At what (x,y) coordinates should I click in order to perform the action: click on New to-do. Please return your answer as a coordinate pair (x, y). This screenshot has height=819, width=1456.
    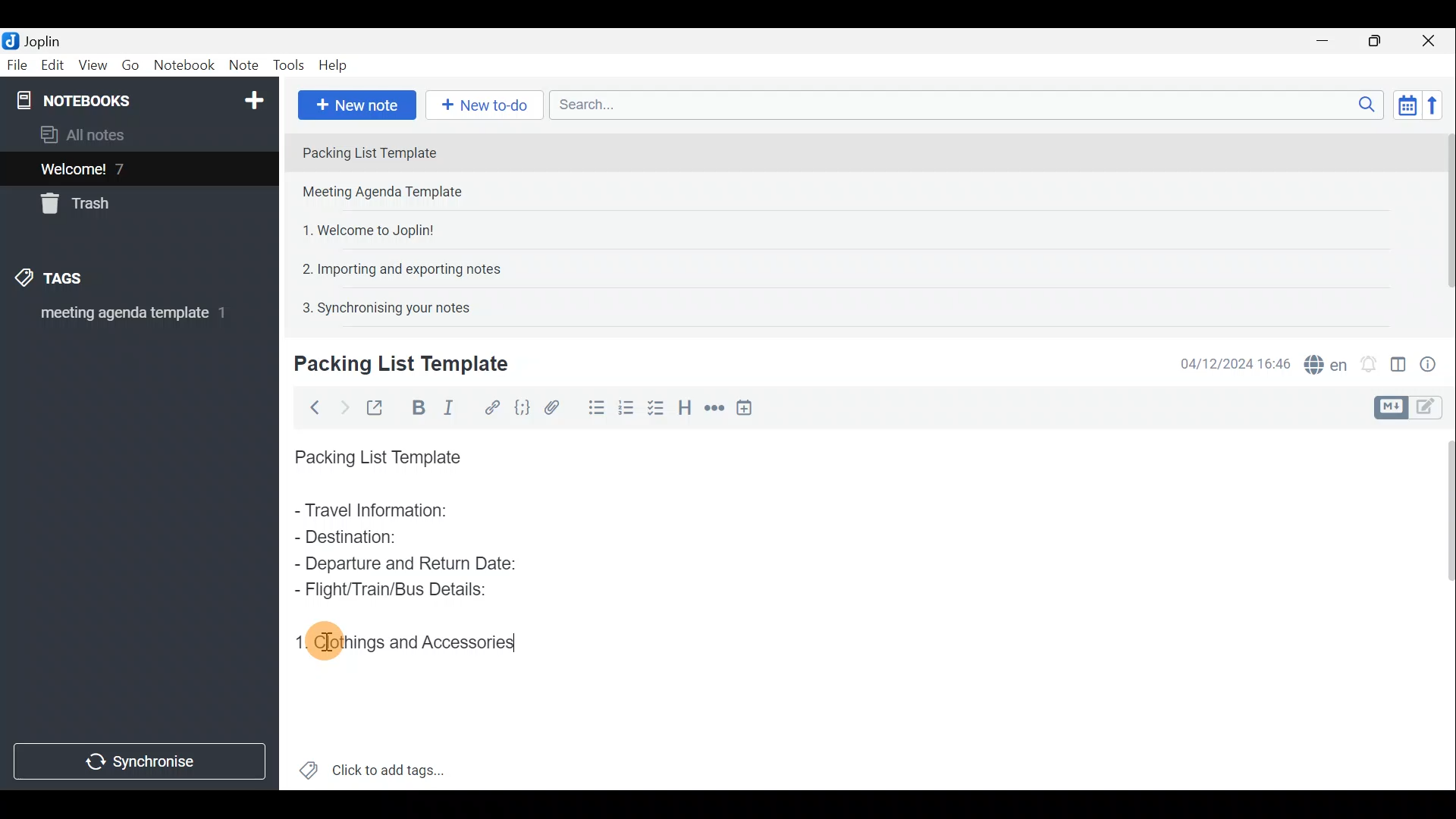
    Looking at the image, I should click on (485, 105).